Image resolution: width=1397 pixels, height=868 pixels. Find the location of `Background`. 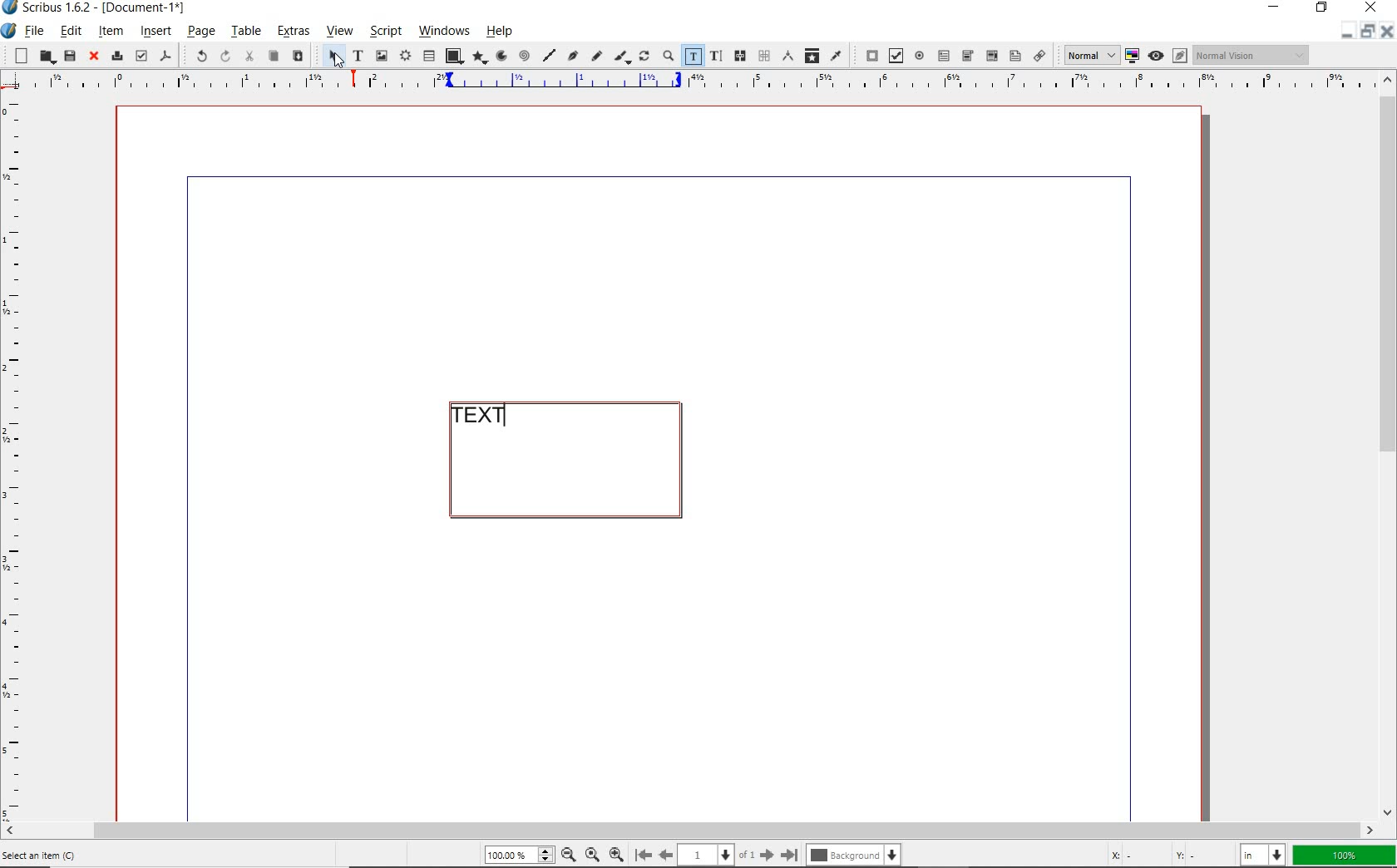

Background is located at coordinates (853, 856).